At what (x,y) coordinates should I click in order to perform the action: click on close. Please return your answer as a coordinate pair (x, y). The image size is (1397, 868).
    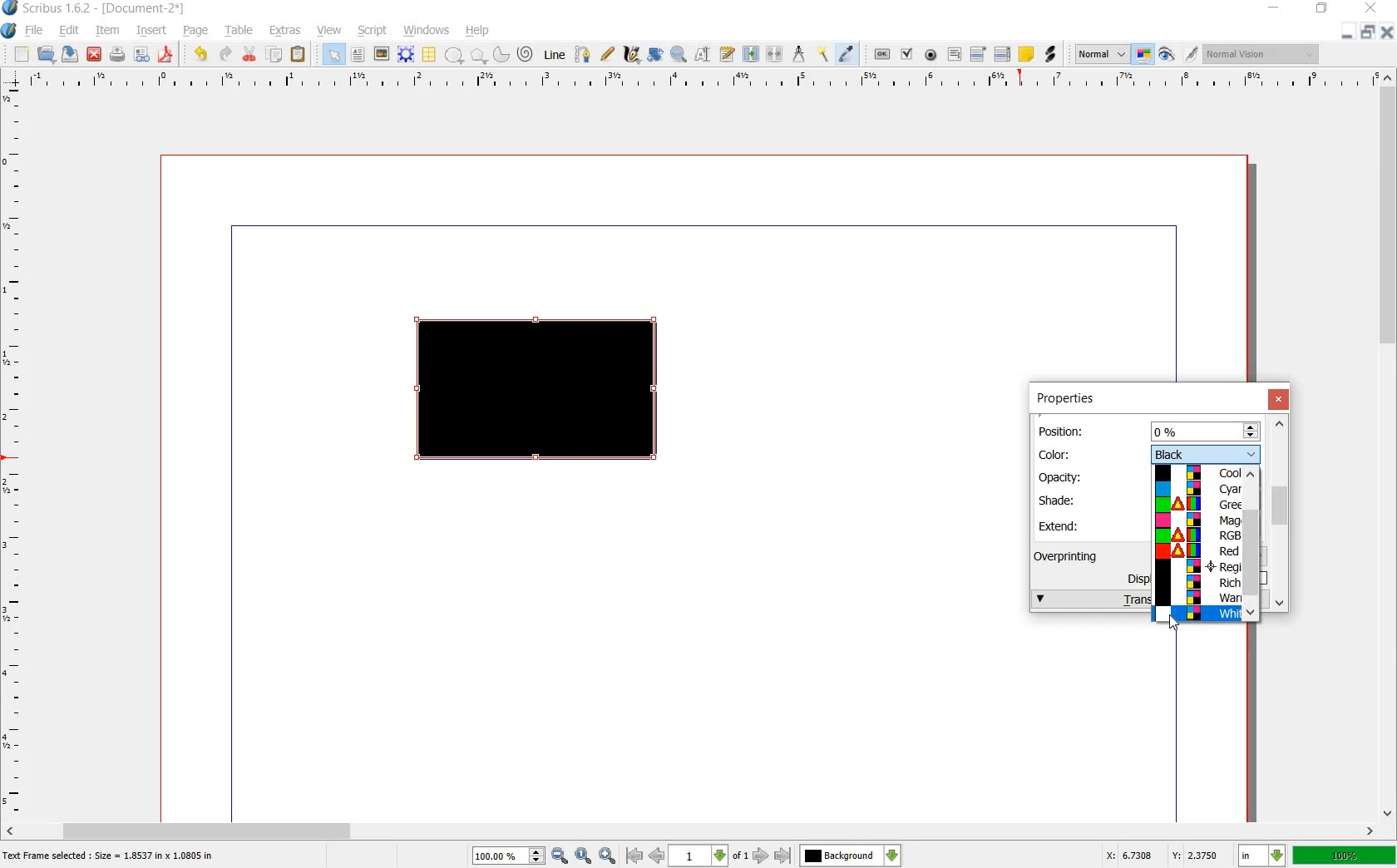
    Looking at the image, I should click on (1385, 32).